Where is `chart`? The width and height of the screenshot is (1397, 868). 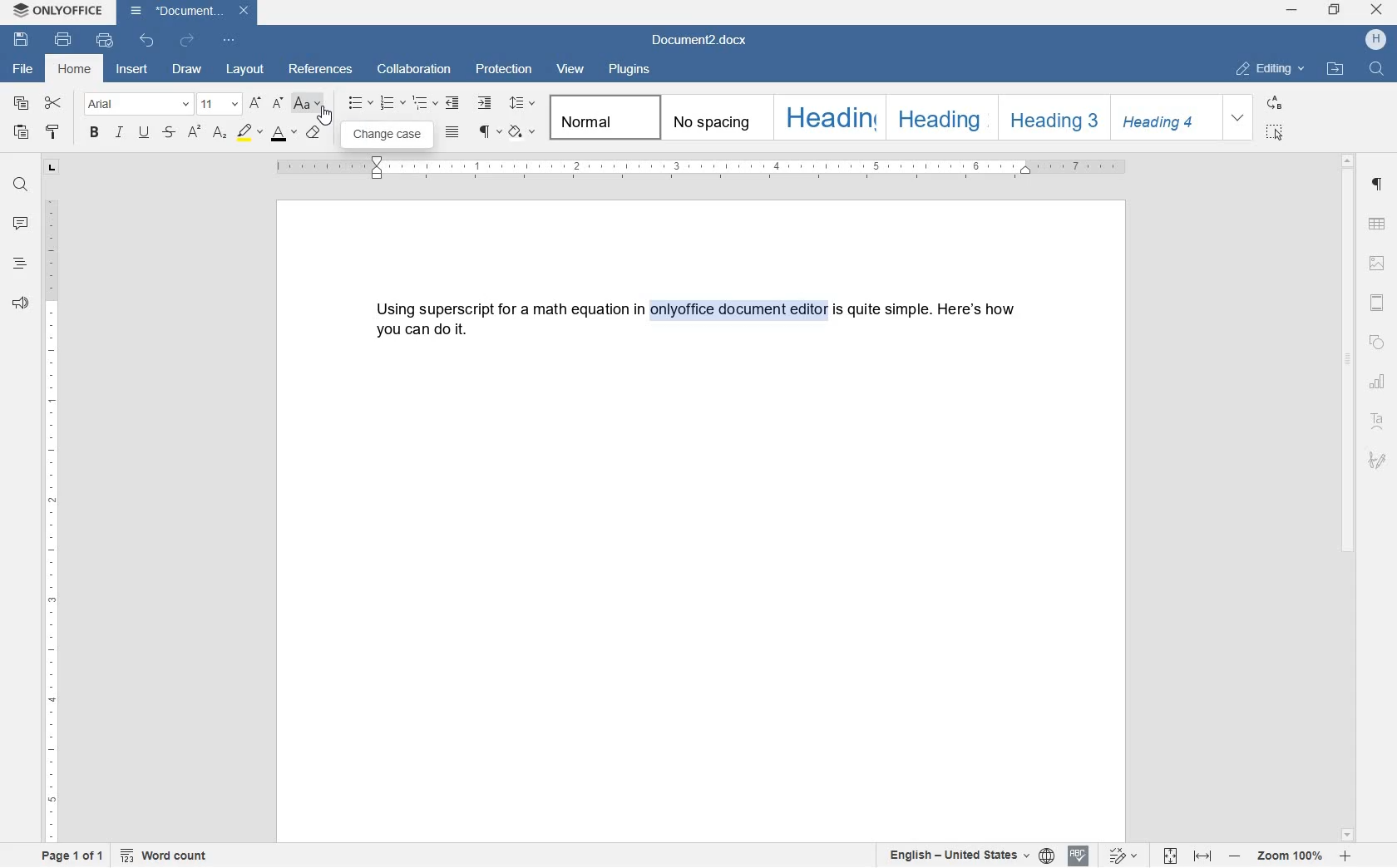
chart is located at coordinates (1379, 382).